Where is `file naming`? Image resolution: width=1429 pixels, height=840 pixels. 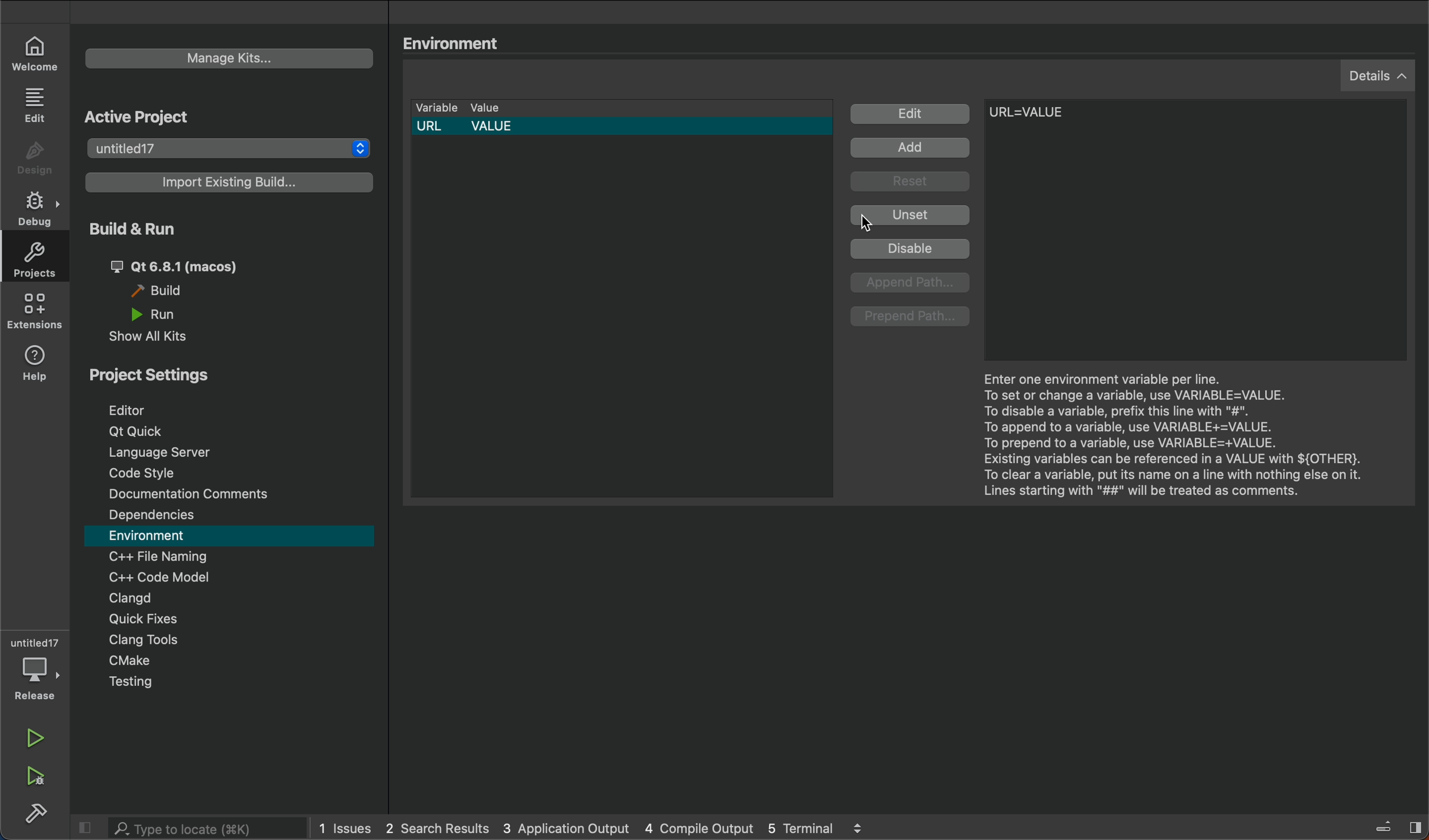 file naming is located at coordinates (164, 556).